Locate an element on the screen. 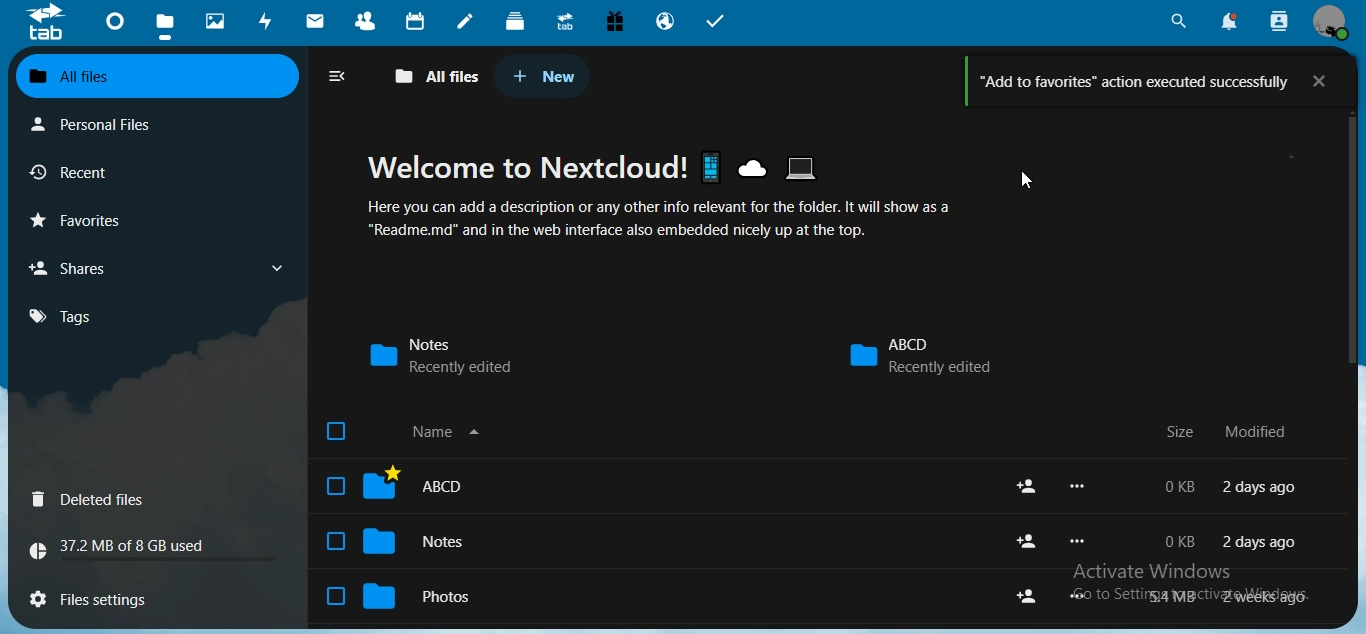 This screenshot has height=634, width=1366. files settings is located at coordinates (99, 602).